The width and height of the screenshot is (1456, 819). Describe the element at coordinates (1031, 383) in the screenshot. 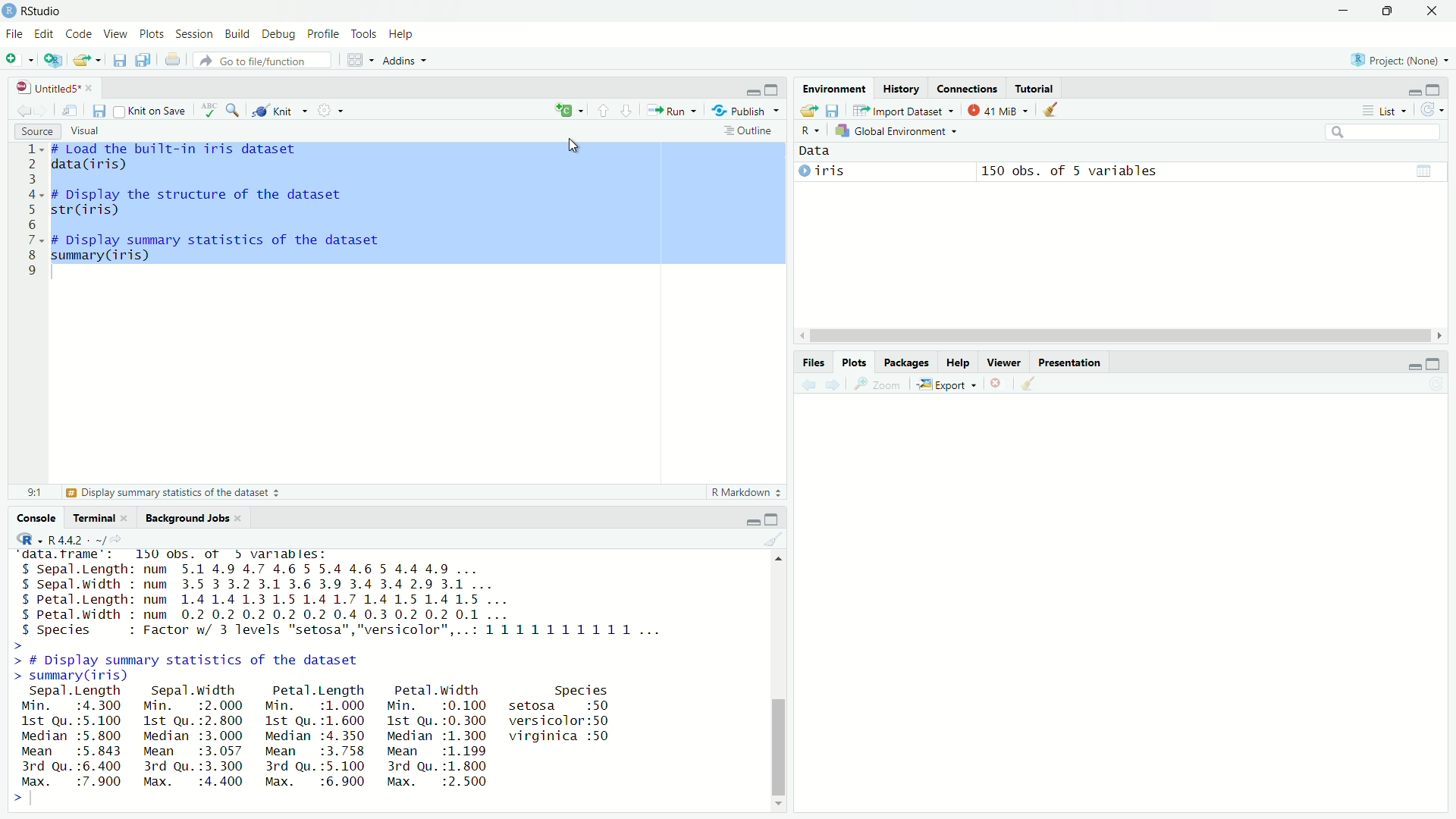

I see `Clear` at that location.